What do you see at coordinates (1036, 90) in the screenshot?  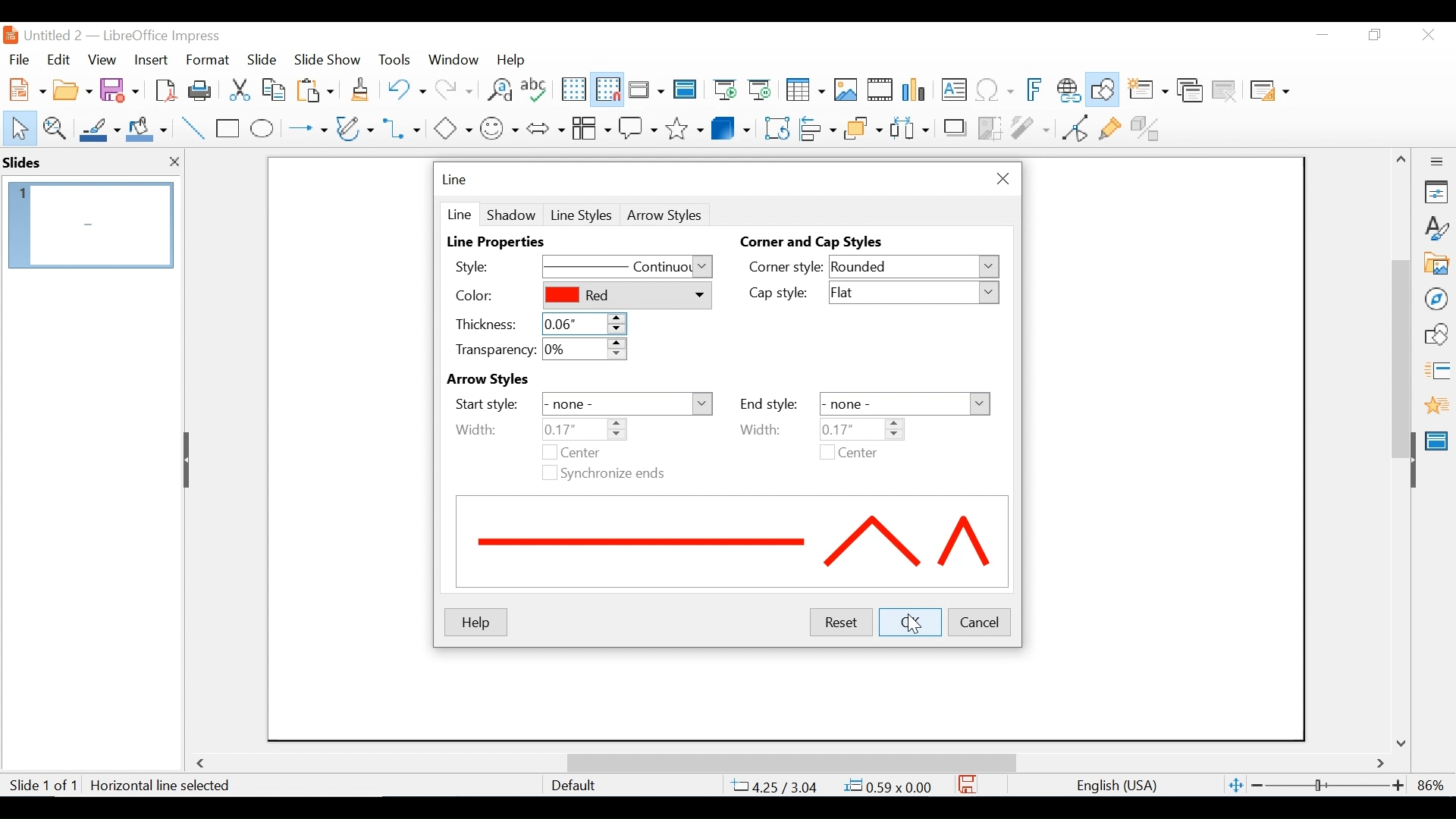 I see `Insert Frontwork` at bounding box center [1036, 90].